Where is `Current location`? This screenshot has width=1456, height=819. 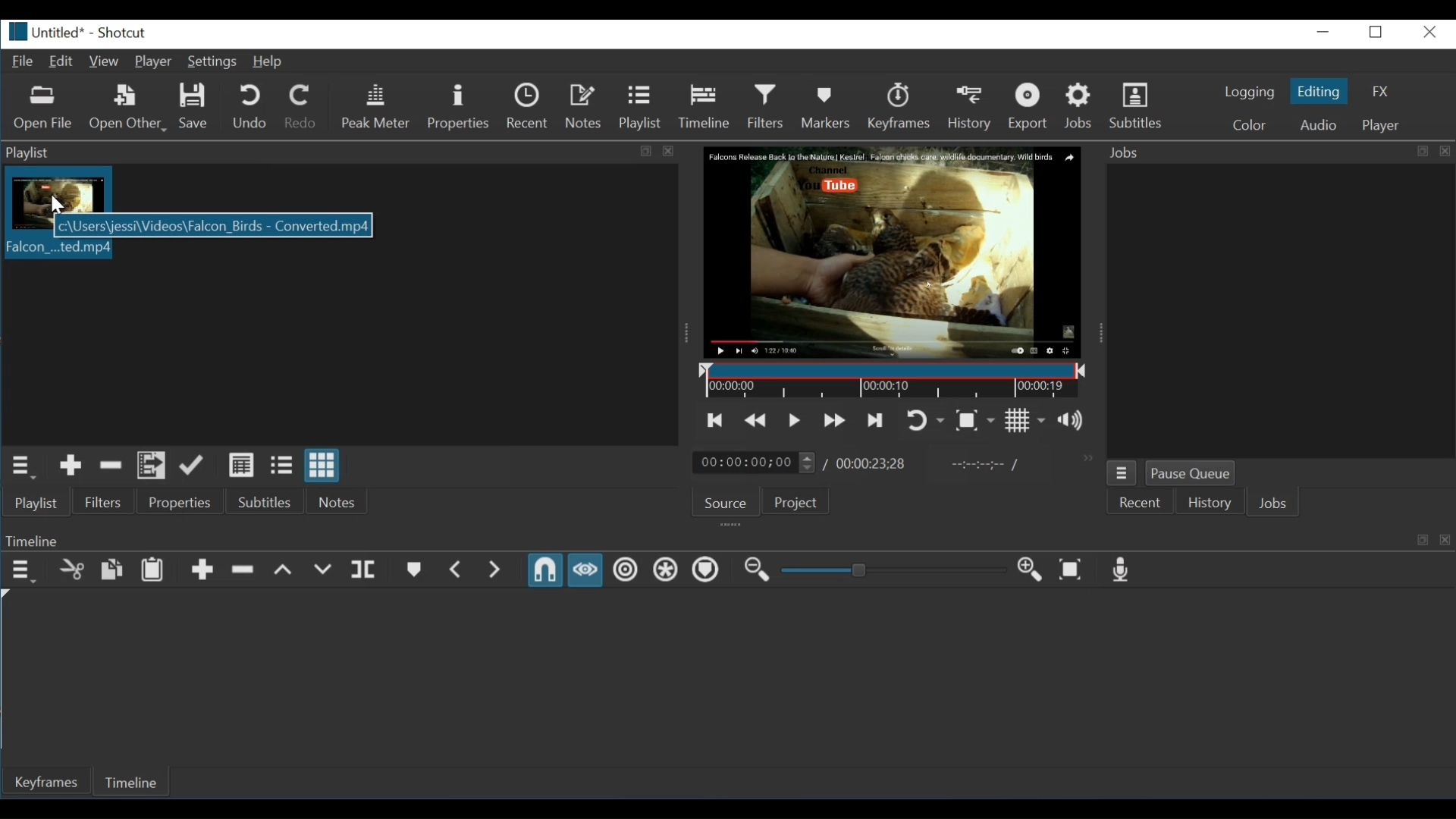
Current location is located at coordinates (756, 463).